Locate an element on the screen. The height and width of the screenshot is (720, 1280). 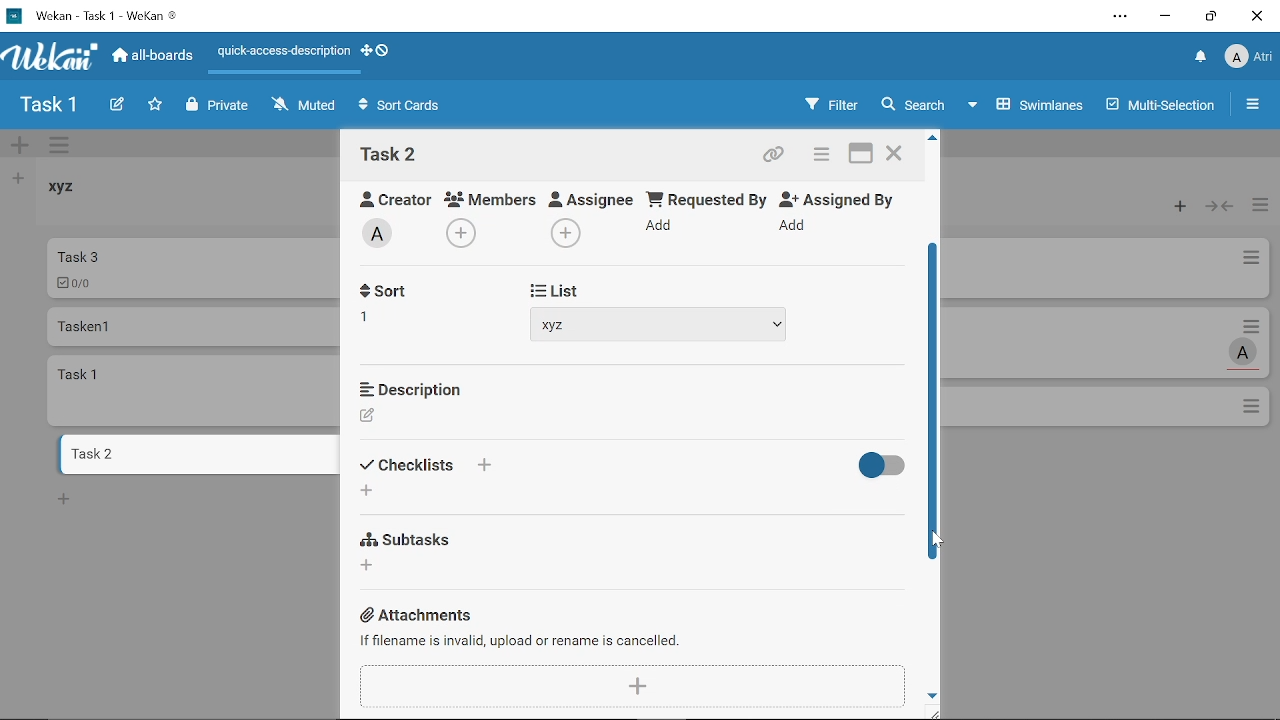
Minimize is located at coordinates (1166, 19).